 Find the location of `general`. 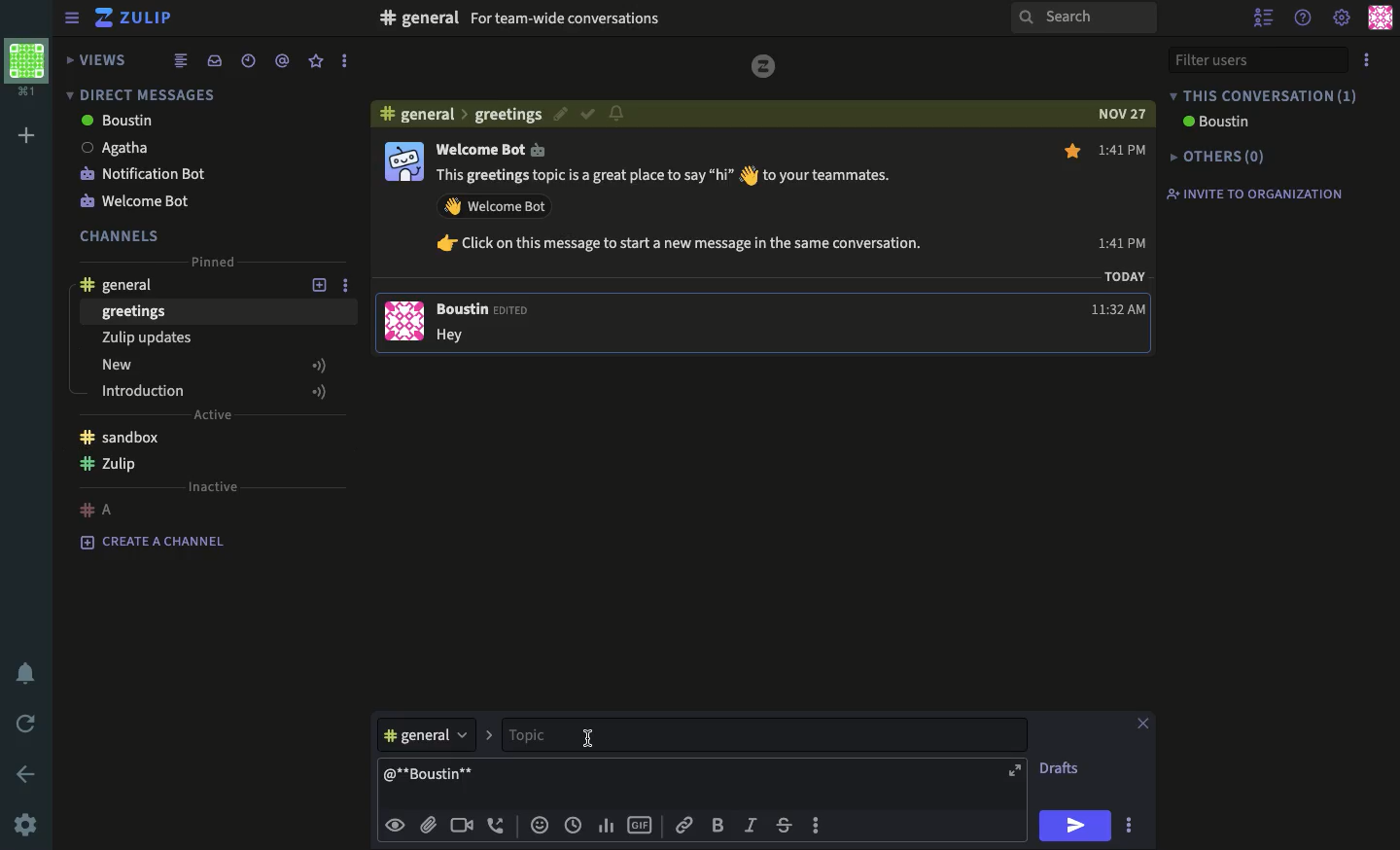

general is located at coordinates (435, 733).